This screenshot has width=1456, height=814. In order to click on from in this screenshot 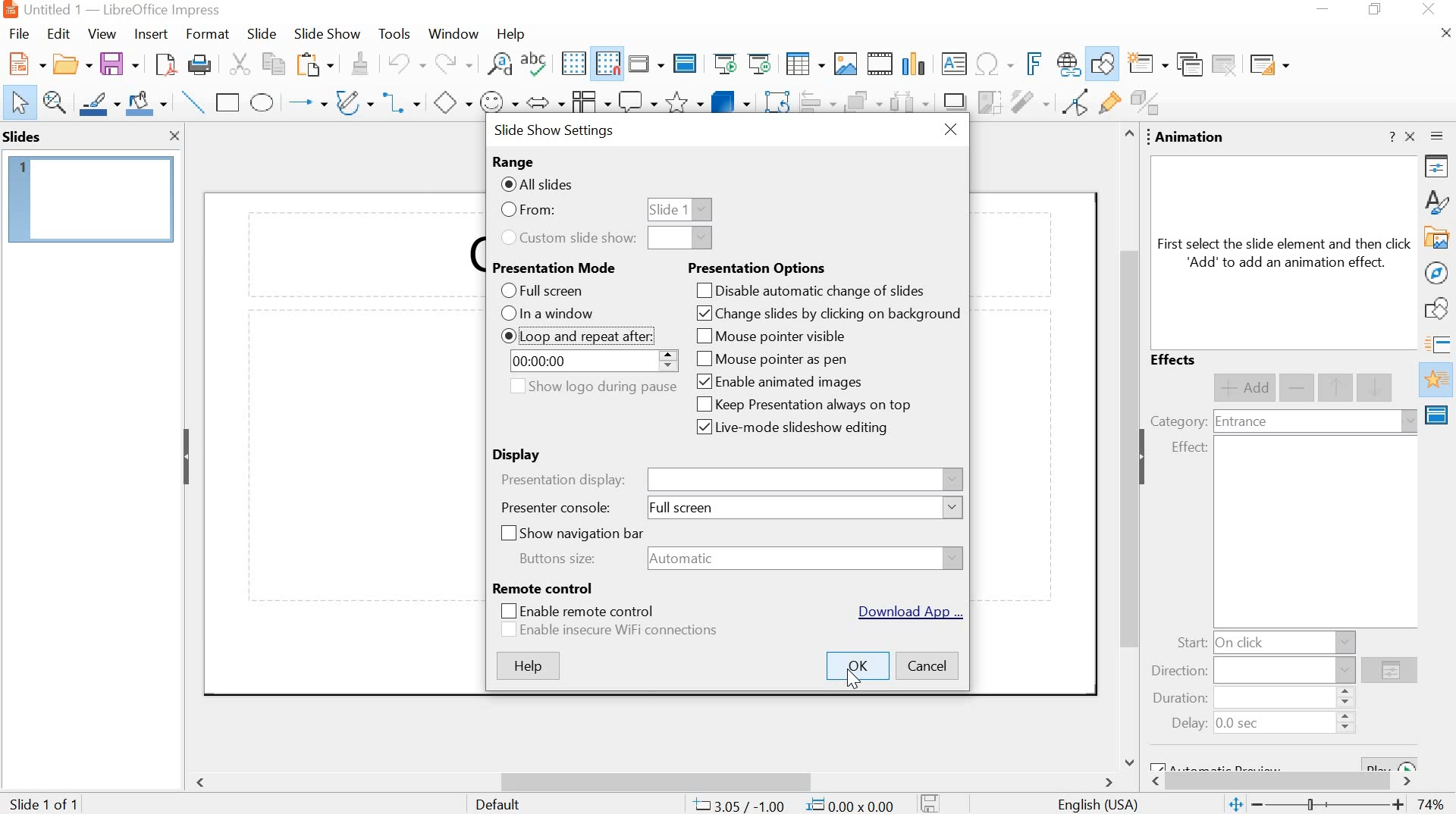, I will do `click(527, 211)`.